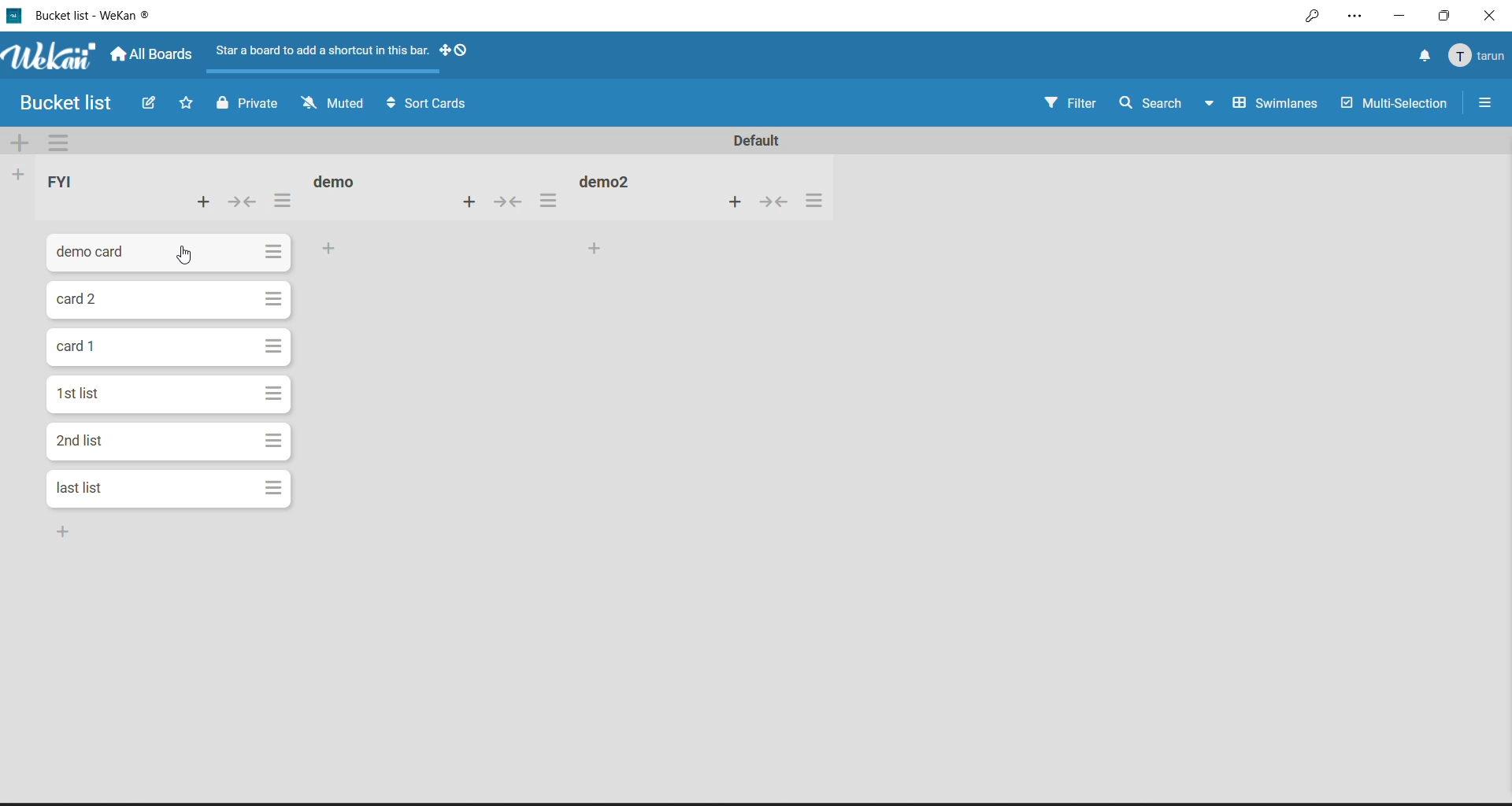 The image size is (1512, 806). What do you see at coordinates (81, 441) in the screenshot?
I see `card title` at bounding box center [81, 441].